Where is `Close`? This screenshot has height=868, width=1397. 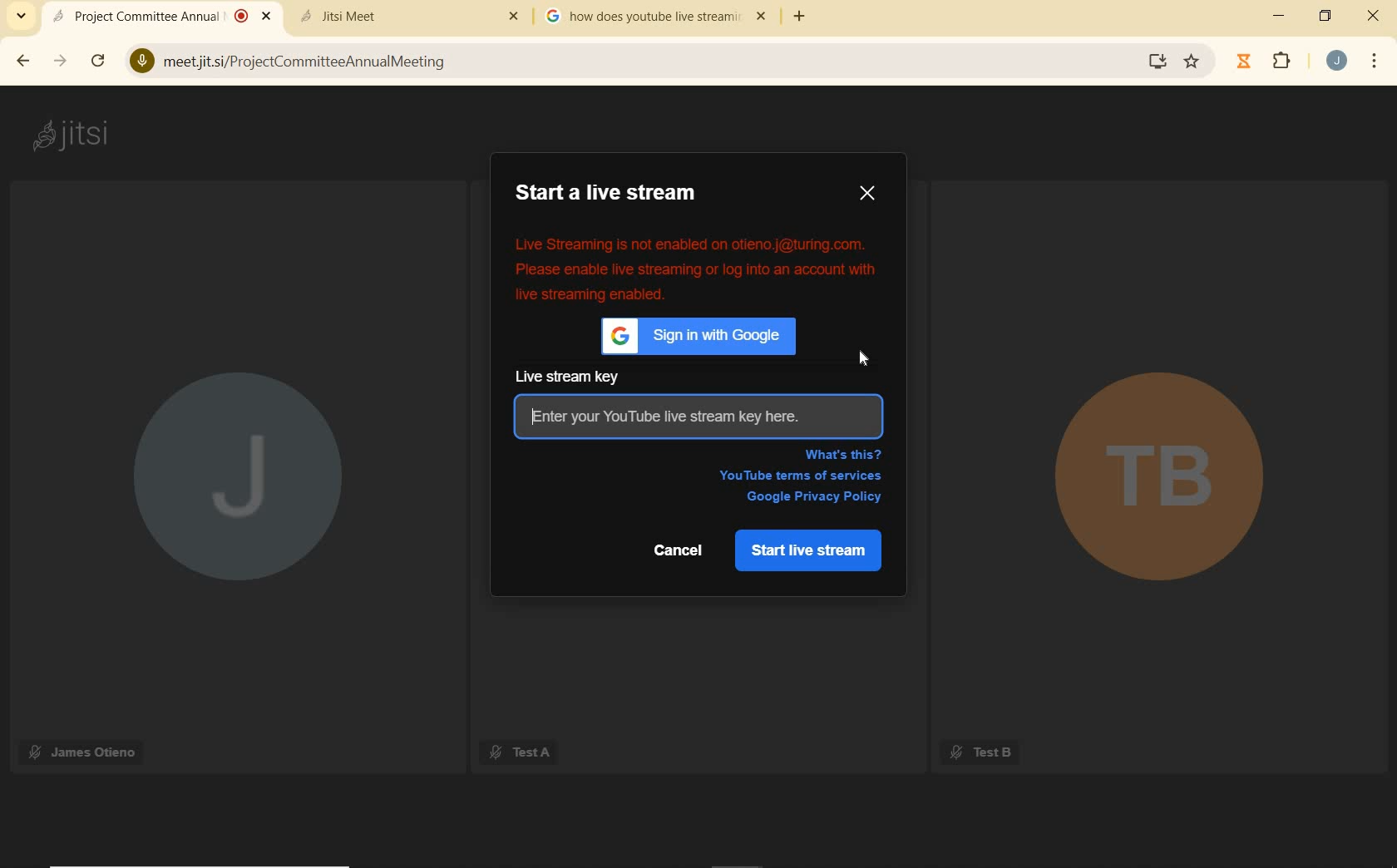 Close is located at coordinates (269, 18).